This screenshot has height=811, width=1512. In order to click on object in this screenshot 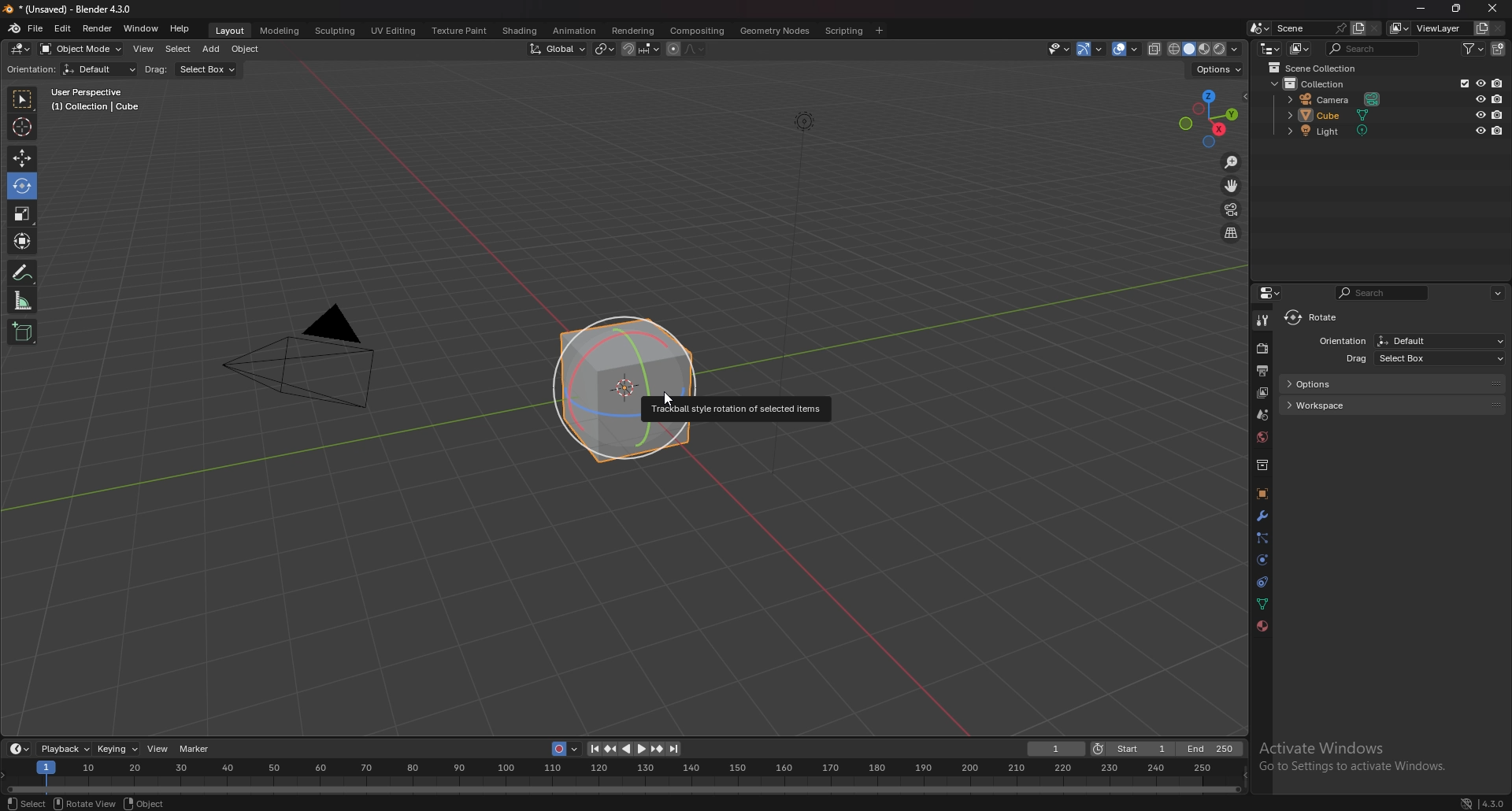, I will do `click(145, 803)`.